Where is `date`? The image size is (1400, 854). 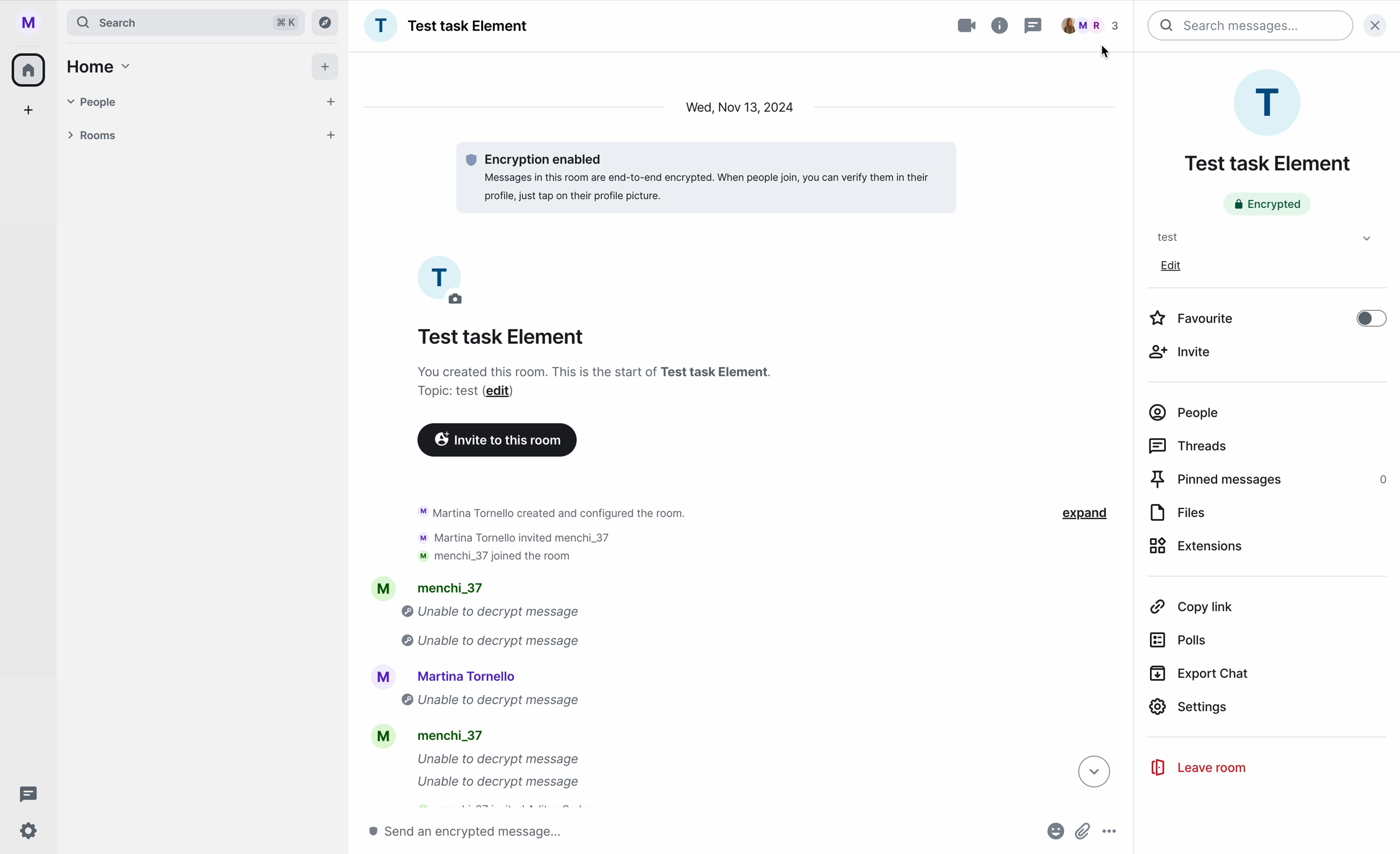 date is located at coordinates (740, 108).